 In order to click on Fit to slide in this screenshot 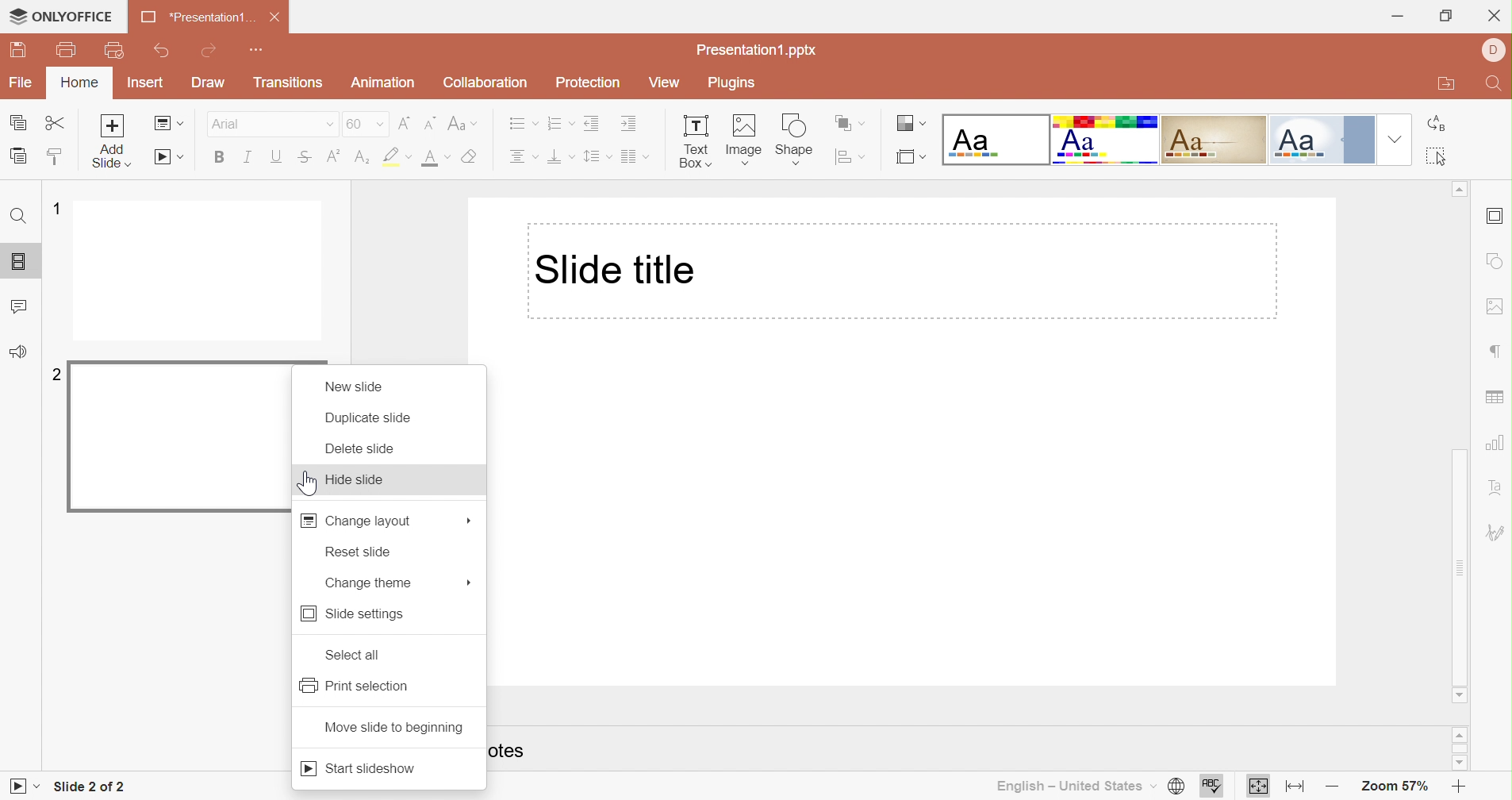, I will do `click(1261, 785)`.